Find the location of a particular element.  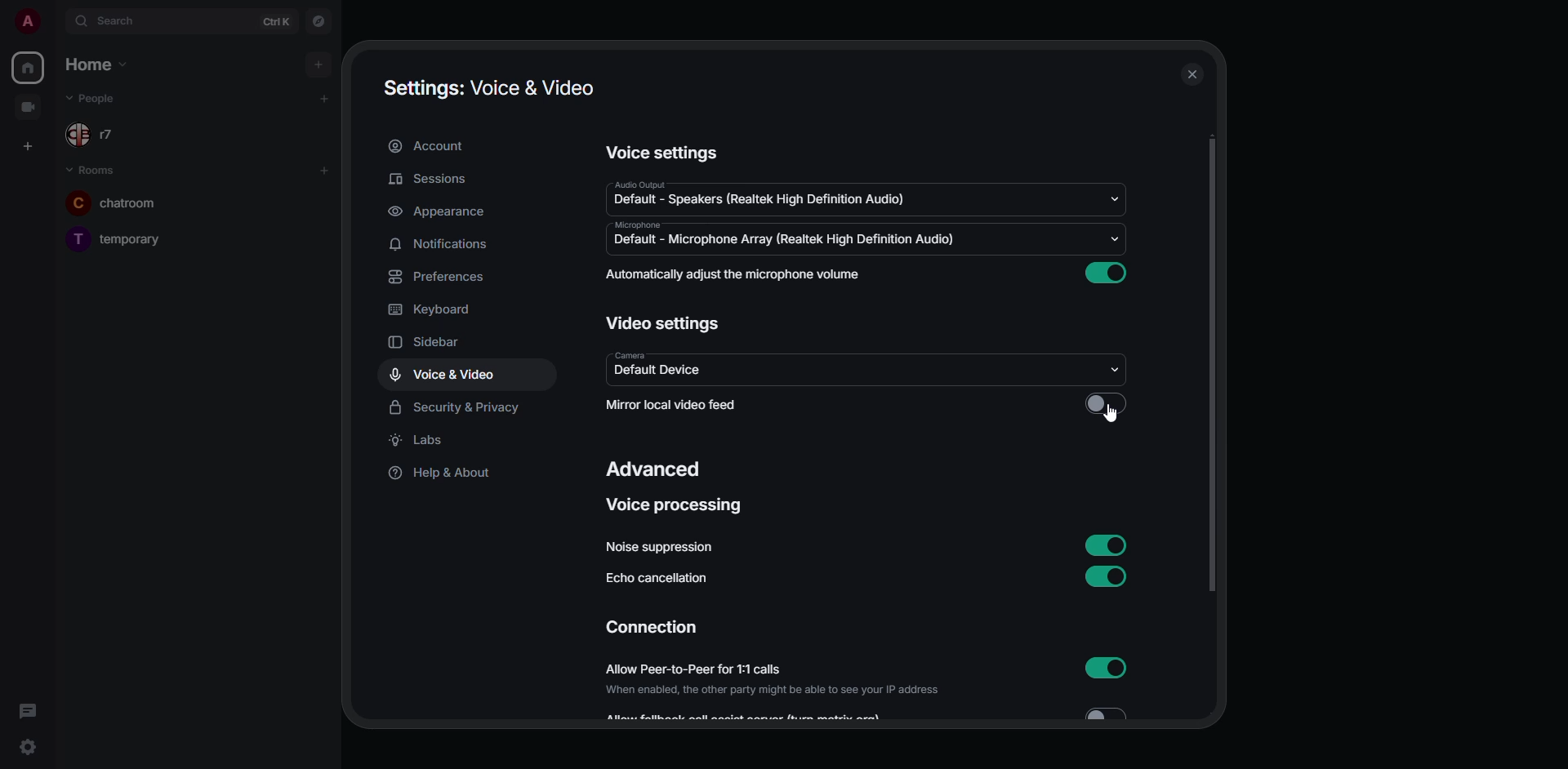

rooms is located at coordinates (95, 171).